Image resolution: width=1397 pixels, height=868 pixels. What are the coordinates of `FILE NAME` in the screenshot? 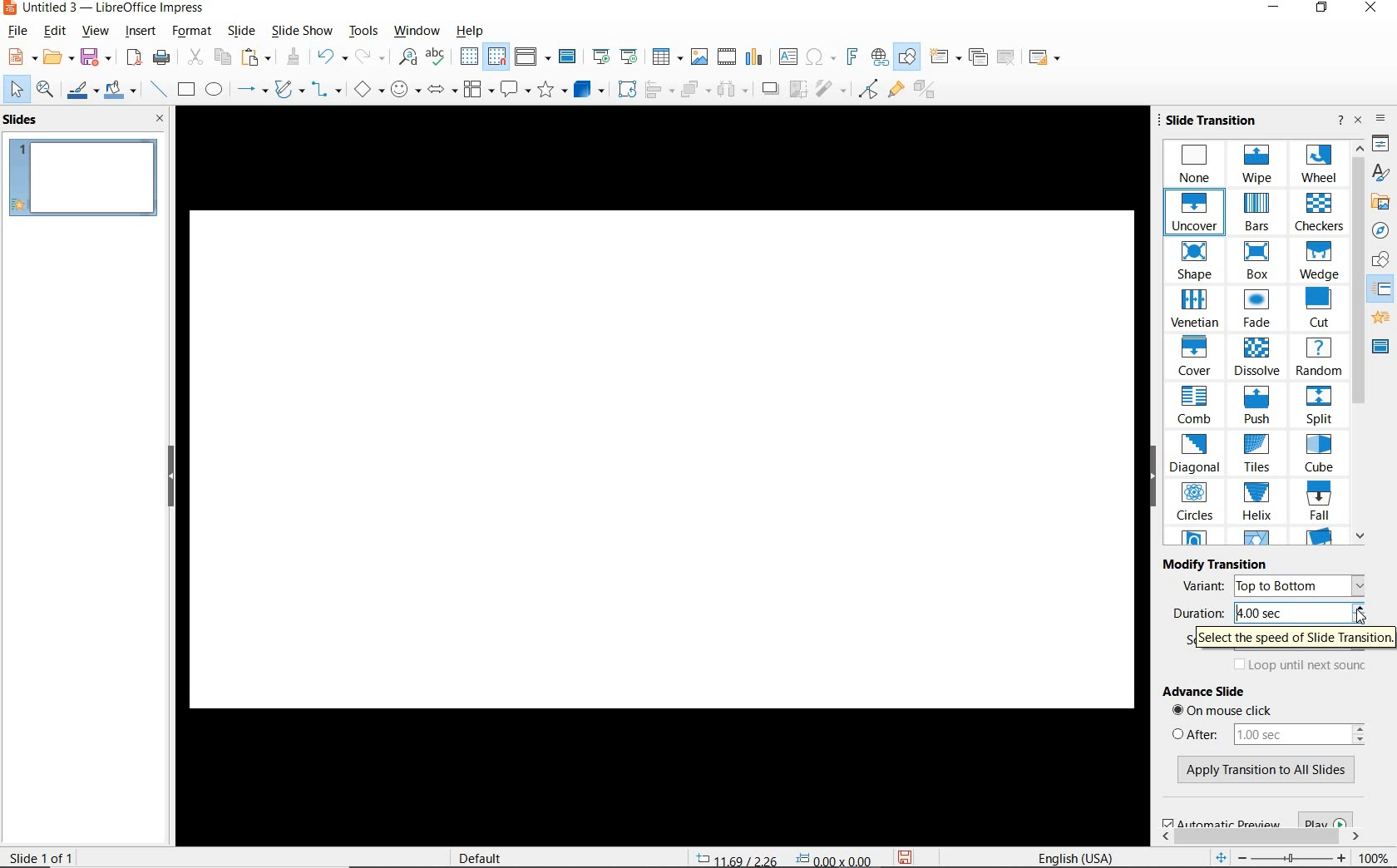 It's located at (106, 9).